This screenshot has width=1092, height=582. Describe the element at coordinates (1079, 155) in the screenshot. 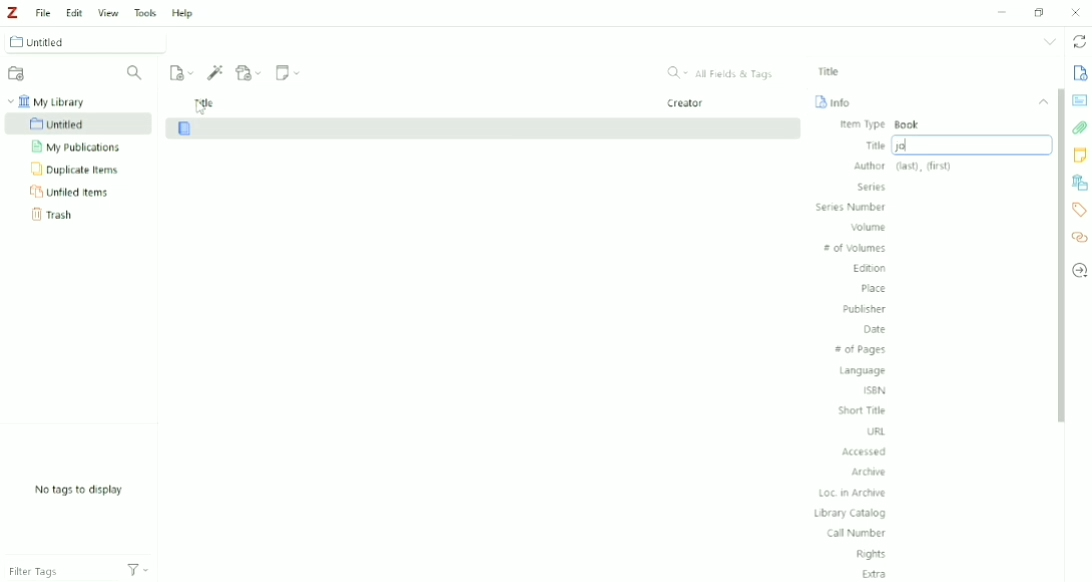

I see `Notes` at that location.